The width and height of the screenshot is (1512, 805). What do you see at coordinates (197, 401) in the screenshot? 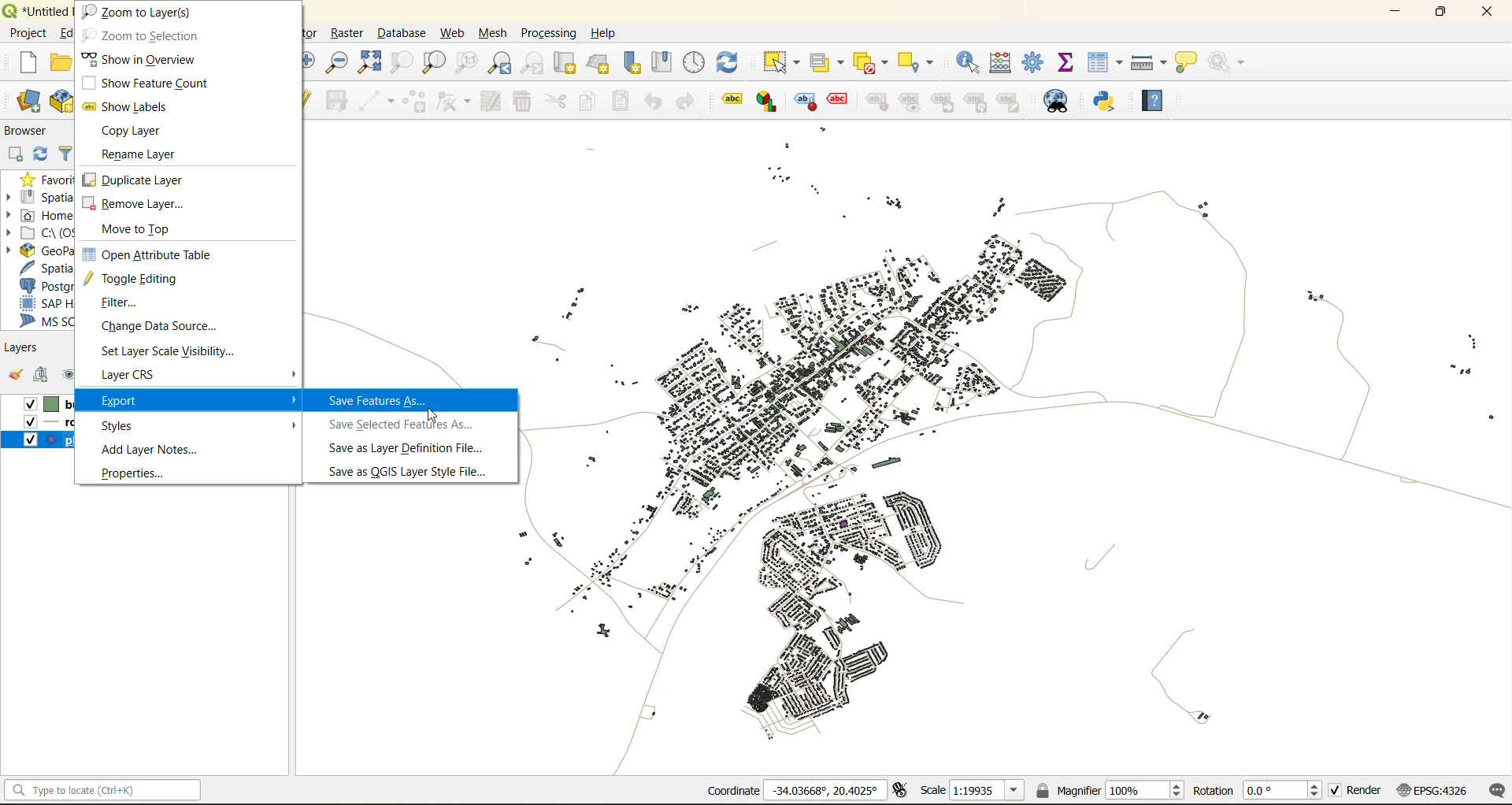
I see `export` at bounding box center [197, 401].